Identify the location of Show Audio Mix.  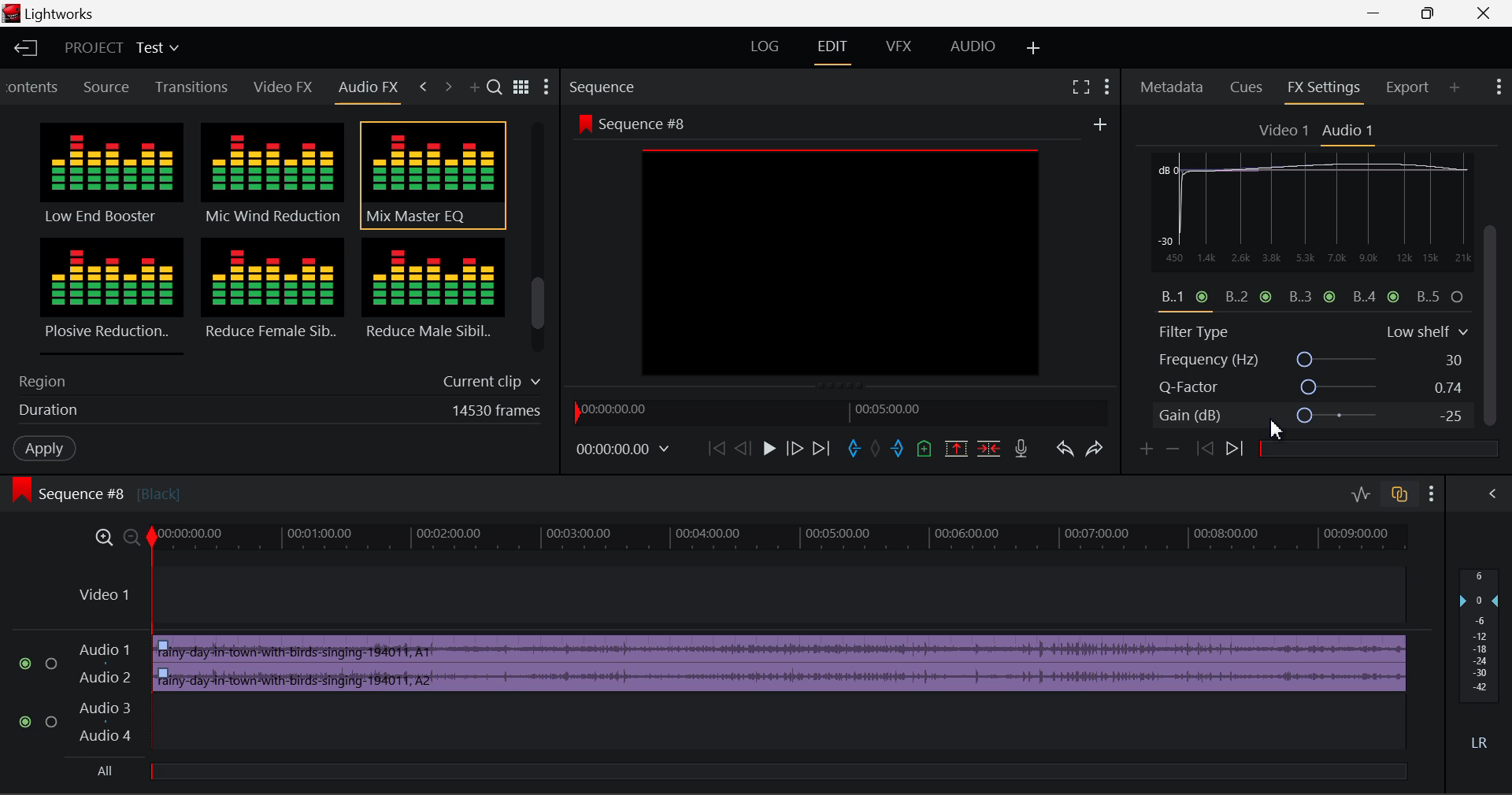
(1490, 494).